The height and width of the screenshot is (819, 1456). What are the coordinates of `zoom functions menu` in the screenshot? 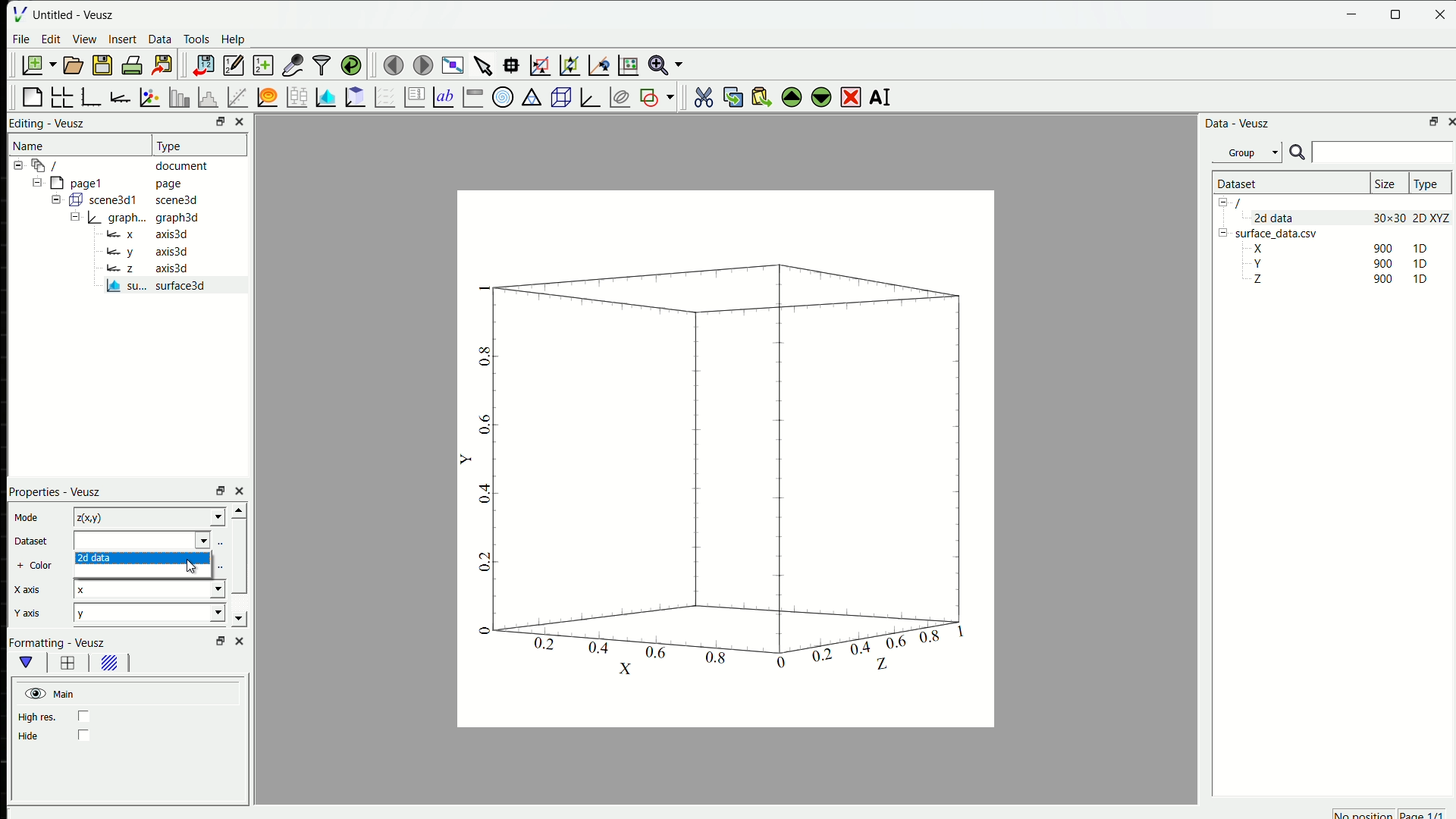 It's located at (666, 66).